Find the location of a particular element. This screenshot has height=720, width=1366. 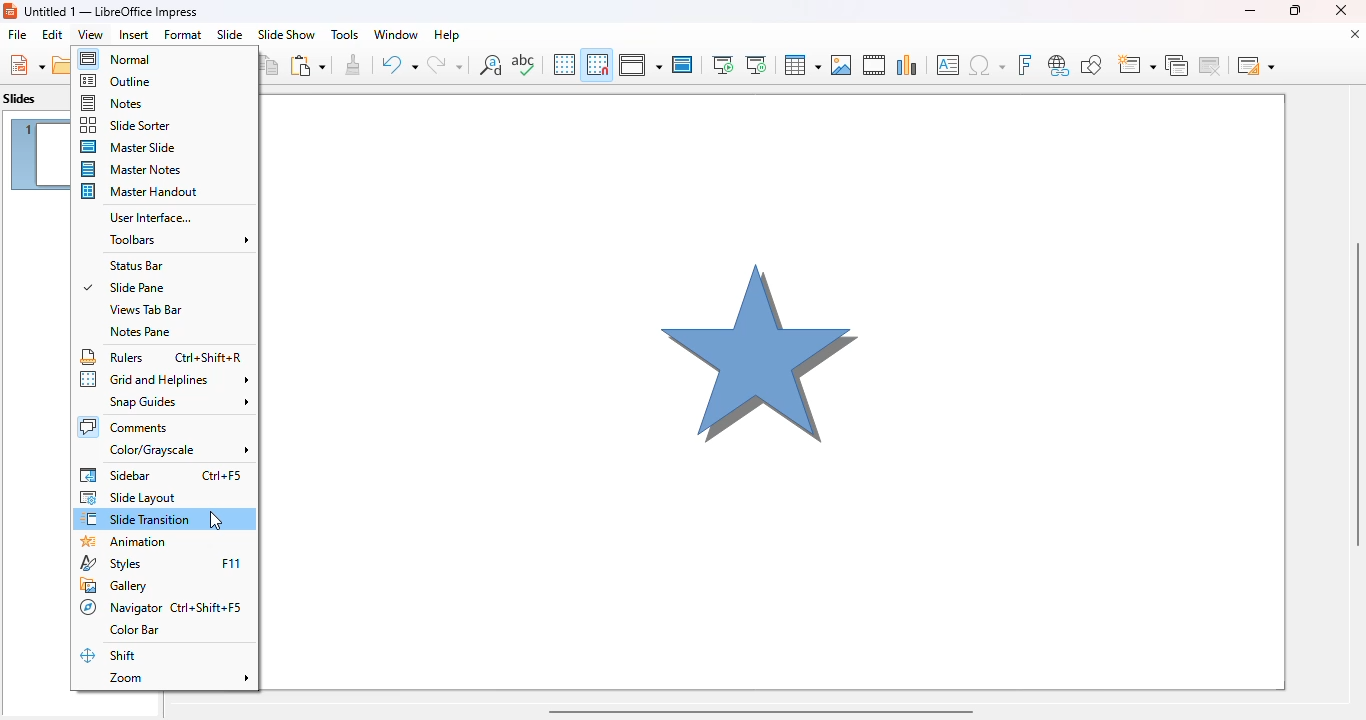

duplicate slide is located at coordinates (1177, 66).